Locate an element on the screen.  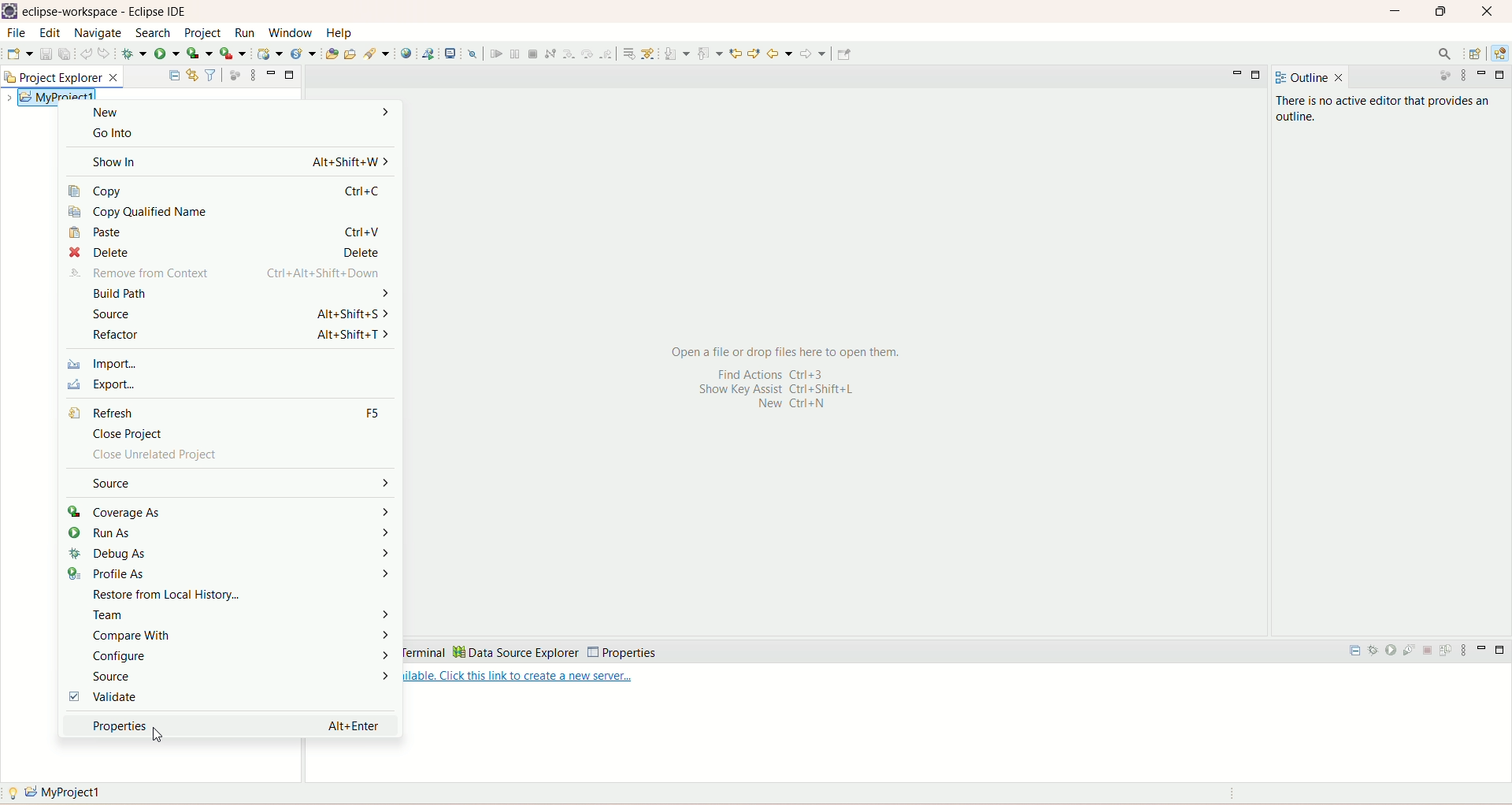
there is no active editor that provides an outline is located at coordinates (1388, 109).